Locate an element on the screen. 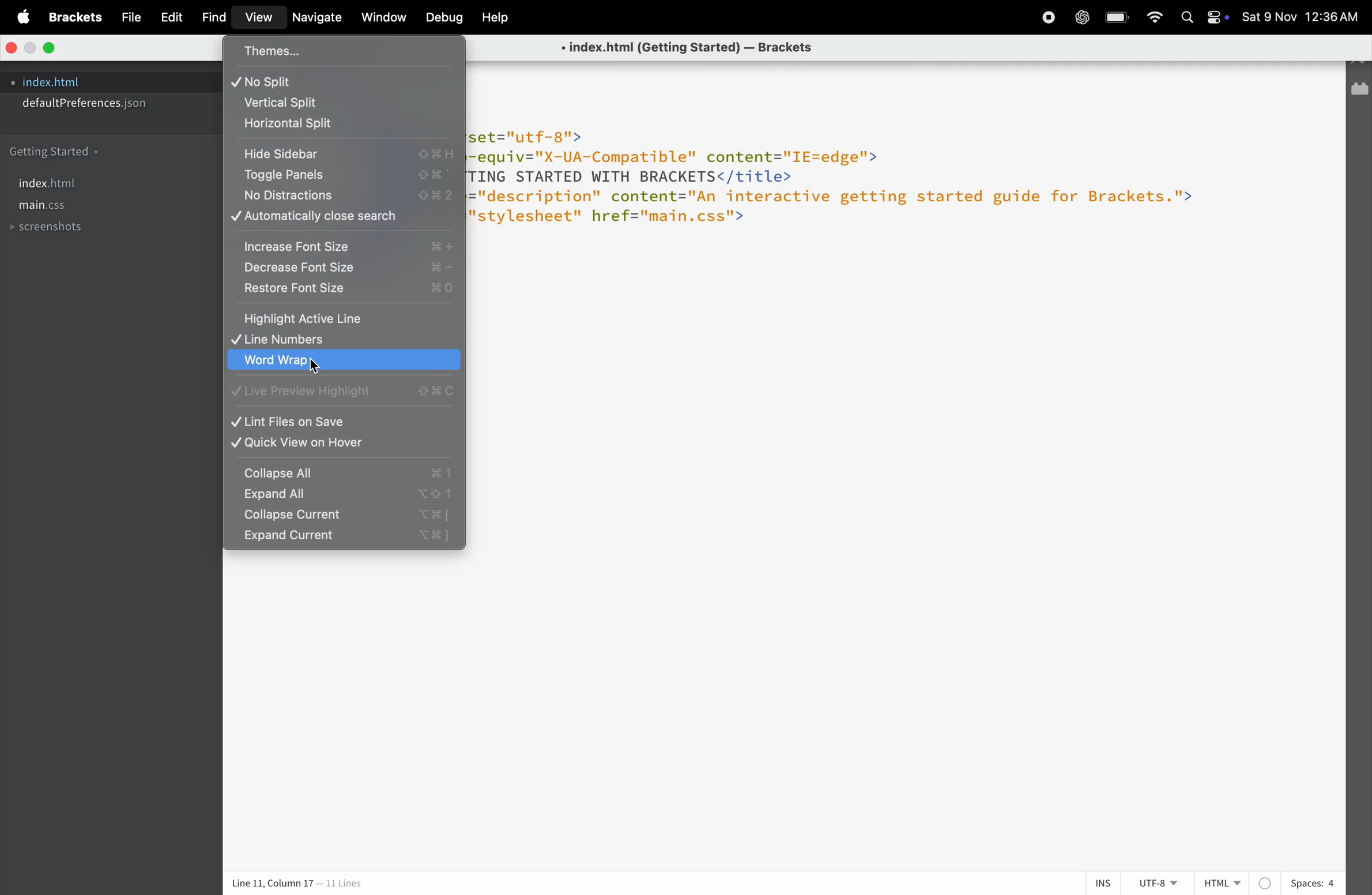 Image resolution: width=1372 pixels, height=895 pixels. debug is located at coordinates (441, 17).